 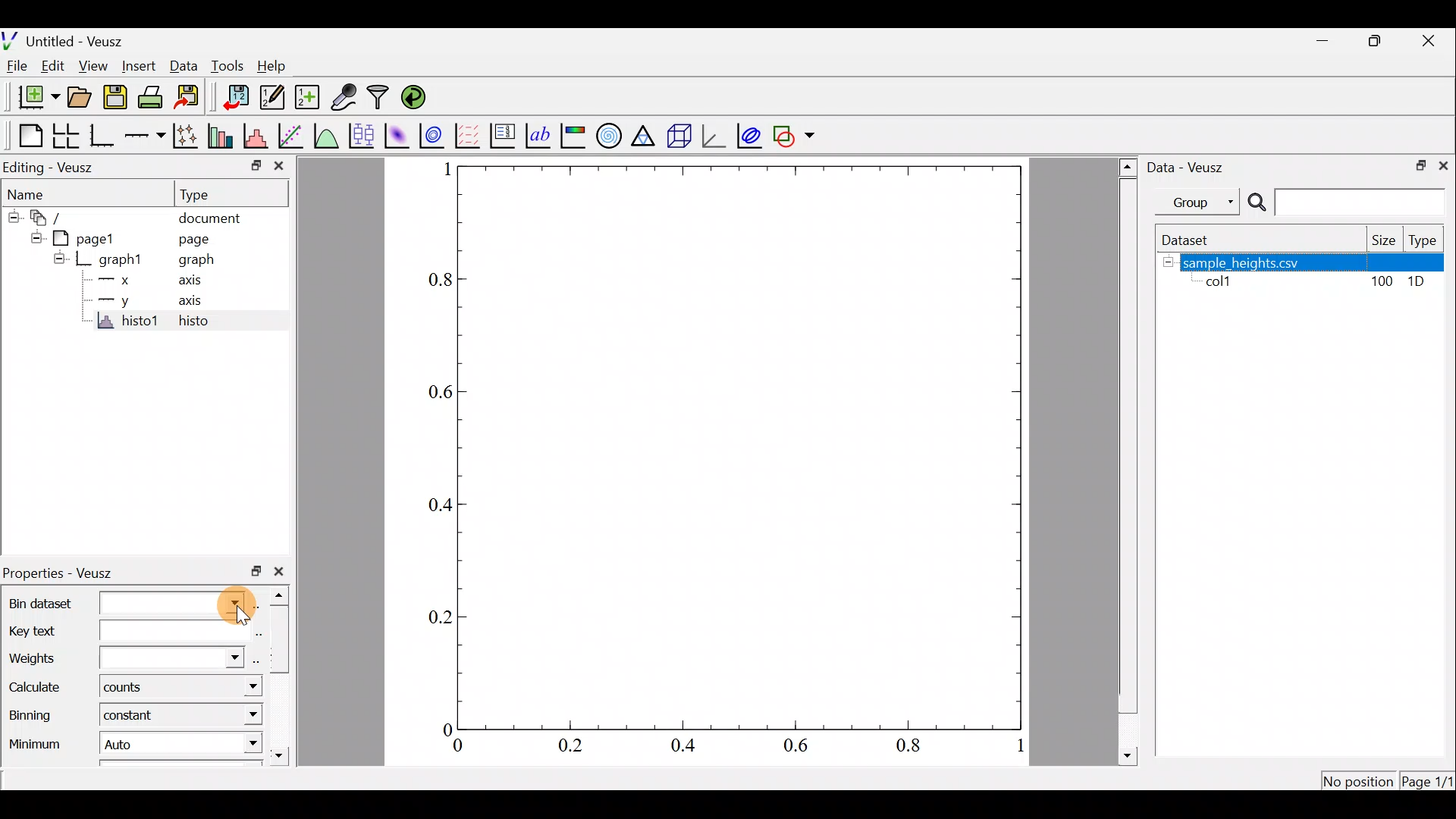 I want to click on minimize, so click(x=1324, y=45).